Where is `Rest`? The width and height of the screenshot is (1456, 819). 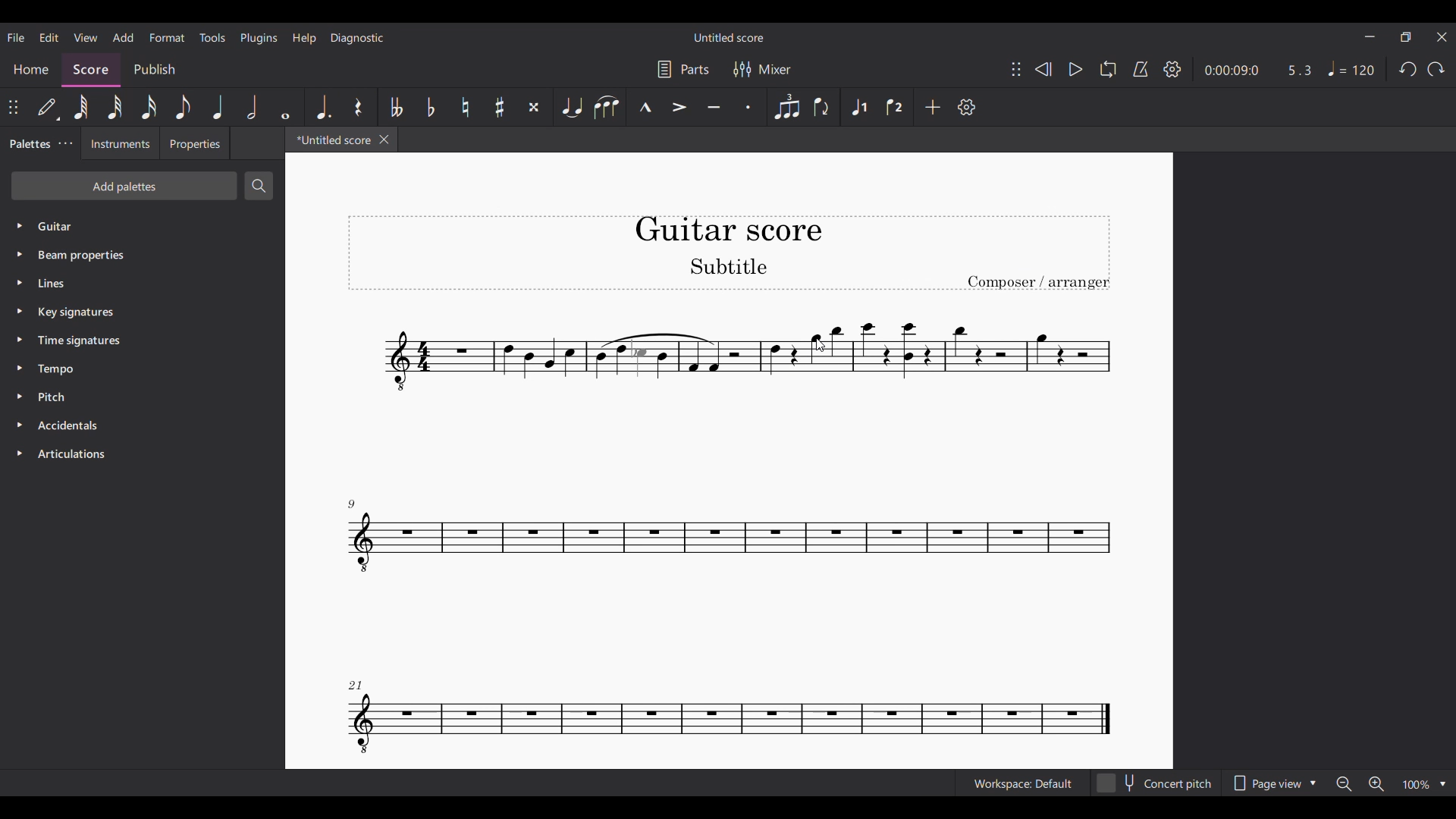
Rest is located at coordinates (359, 107).